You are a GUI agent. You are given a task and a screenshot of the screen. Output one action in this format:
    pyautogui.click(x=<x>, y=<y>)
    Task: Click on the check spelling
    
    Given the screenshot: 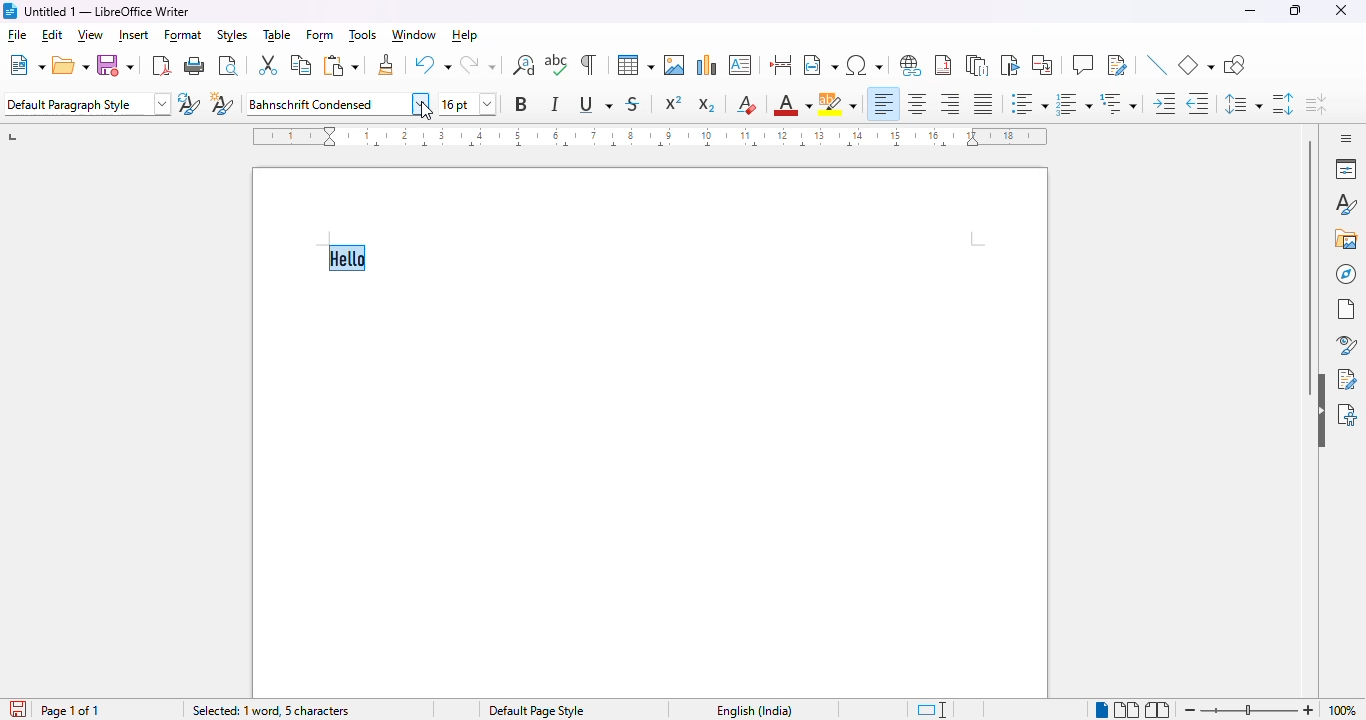 What is the action you would take?
    pyautogui.click(x=557, y=64)
    